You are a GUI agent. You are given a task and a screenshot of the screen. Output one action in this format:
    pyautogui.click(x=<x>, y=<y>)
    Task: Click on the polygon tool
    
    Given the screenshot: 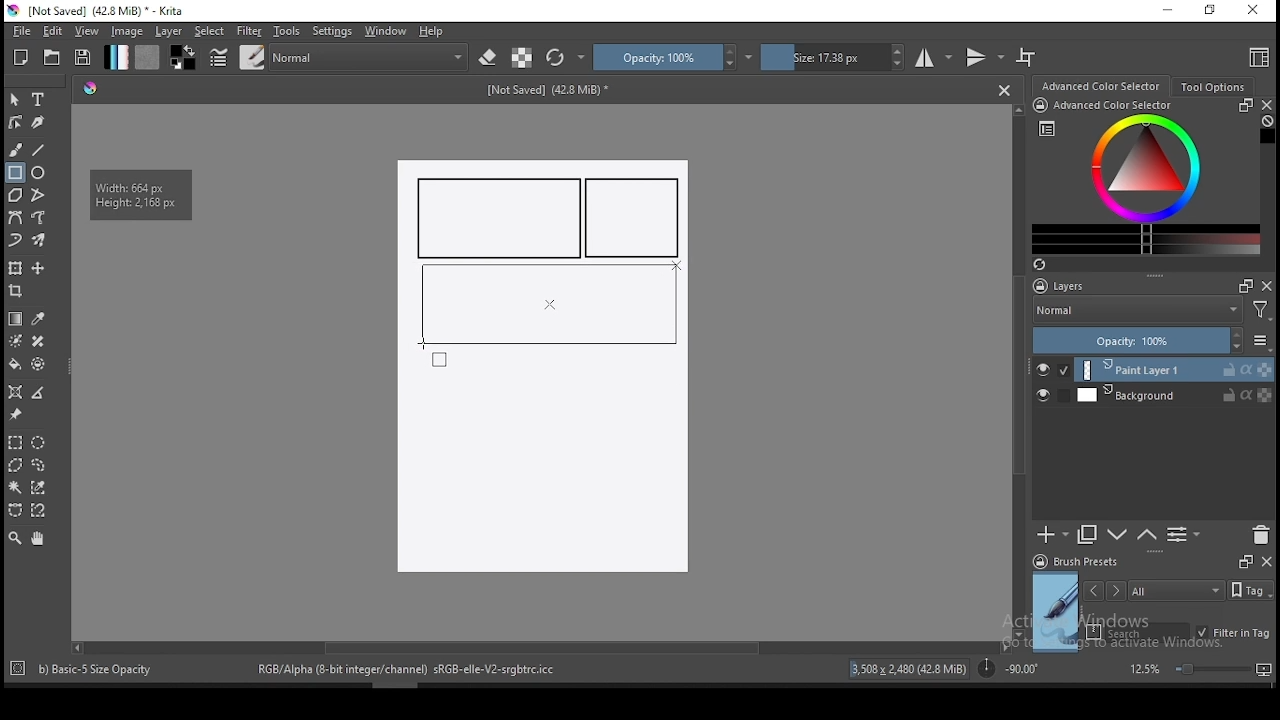 What is the action you would take?
    pyautogui.click(x=14, y=195)
    